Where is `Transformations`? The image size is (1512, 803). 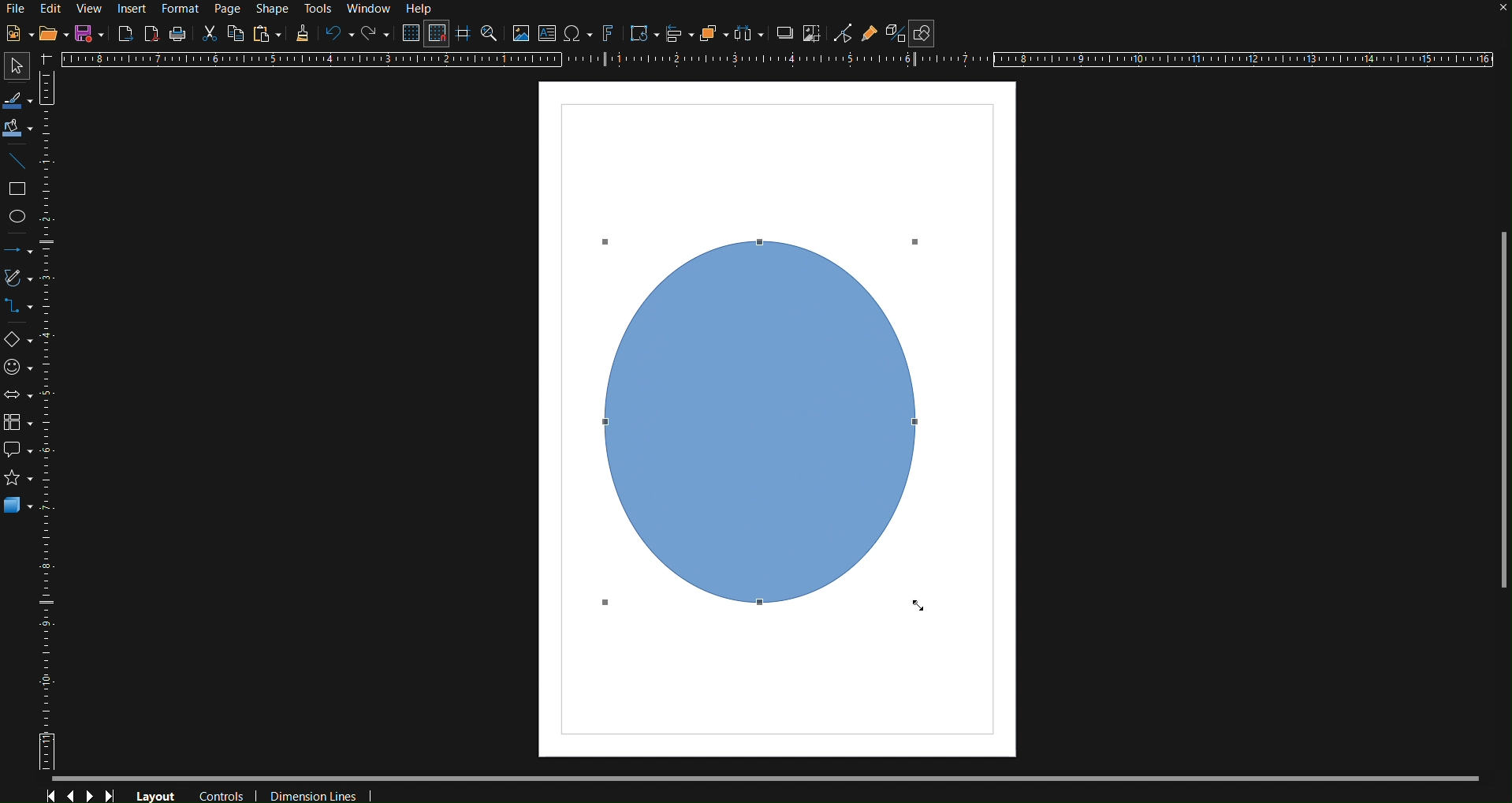
Transformations is located at coordinates (642, 35).